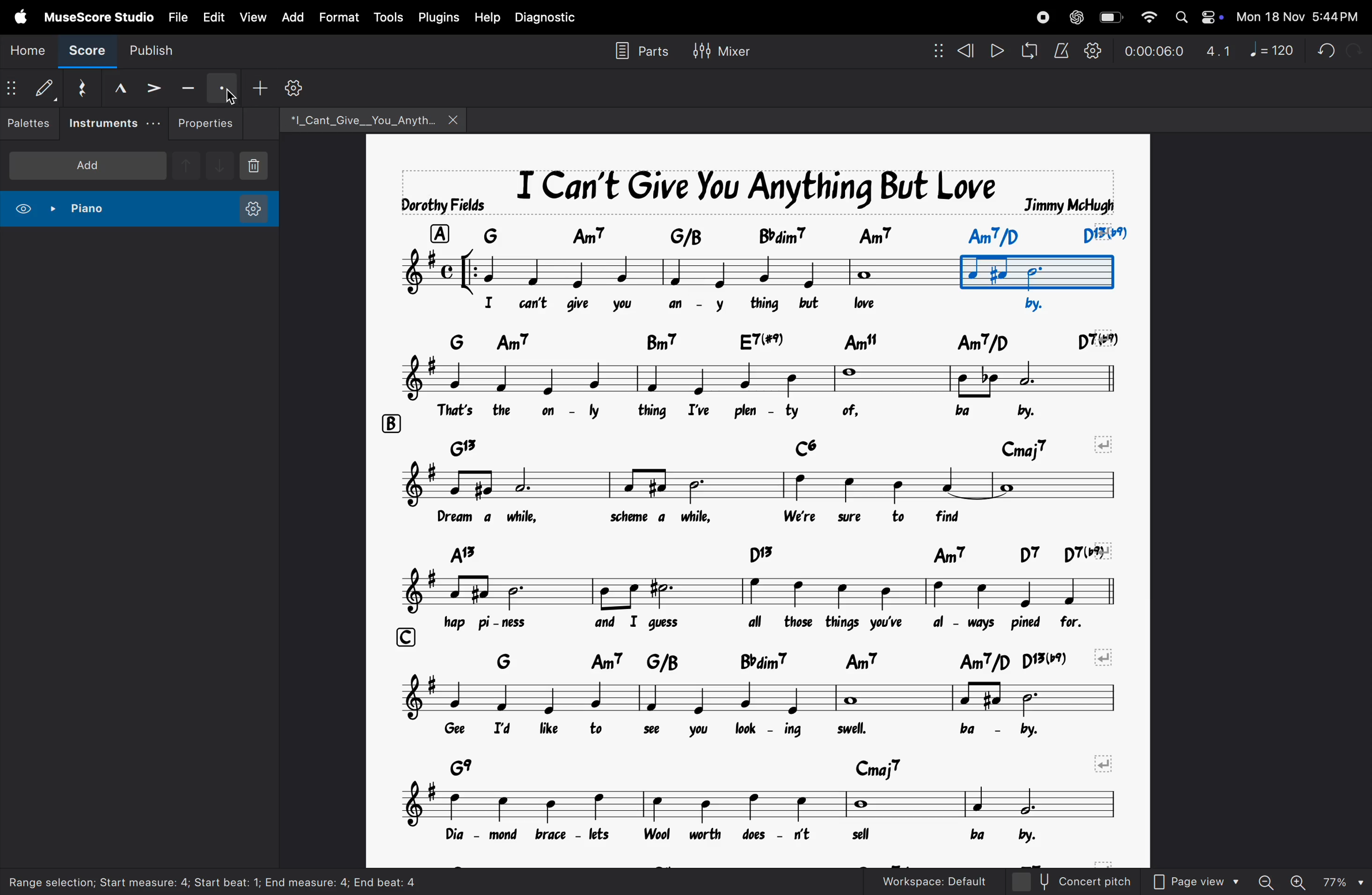 Image resolution: width=1372 pixels, height=895 pixels. Describe the element at coordinates (151, 52) in the screenshot. I see `publish` at that location.